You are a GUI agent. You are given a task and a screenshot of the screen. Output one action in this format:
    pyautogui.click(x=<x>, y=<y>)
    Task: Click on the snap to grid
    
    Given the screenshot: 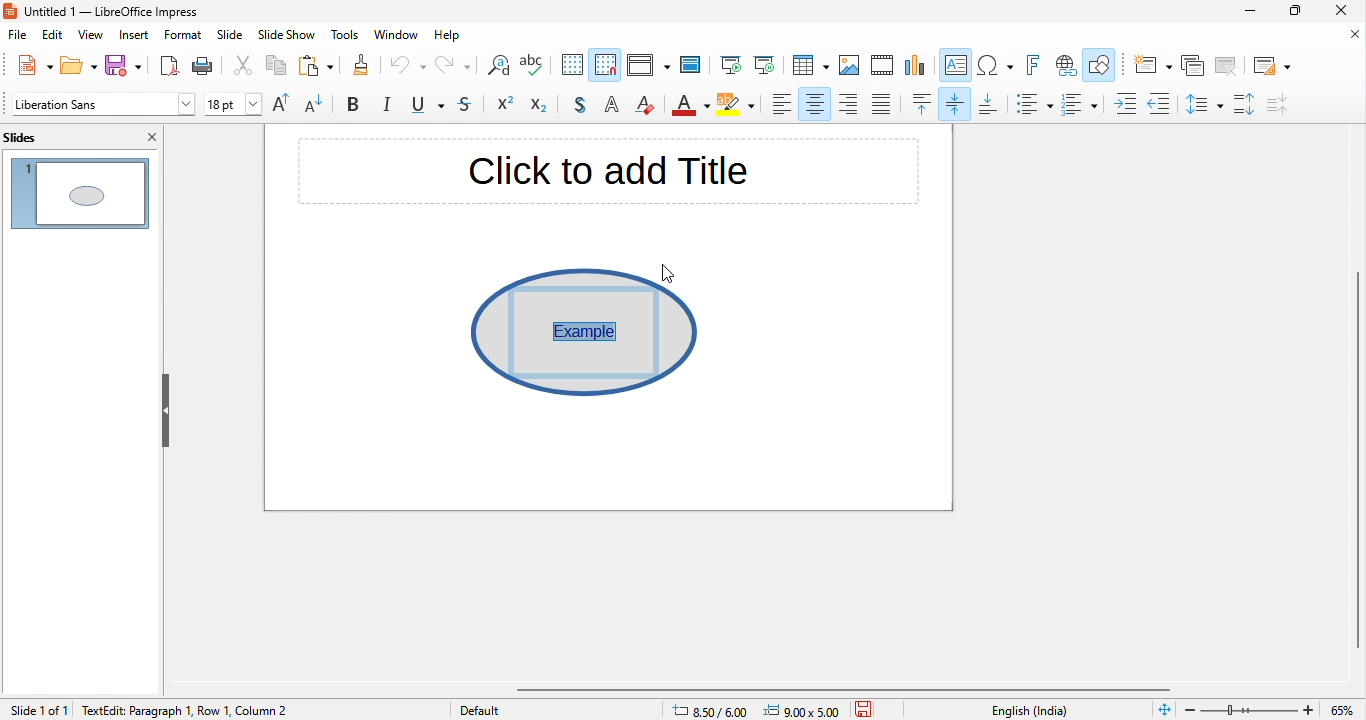 What is the action you would take?
    pyautogui.click(x=607, y=64)
    